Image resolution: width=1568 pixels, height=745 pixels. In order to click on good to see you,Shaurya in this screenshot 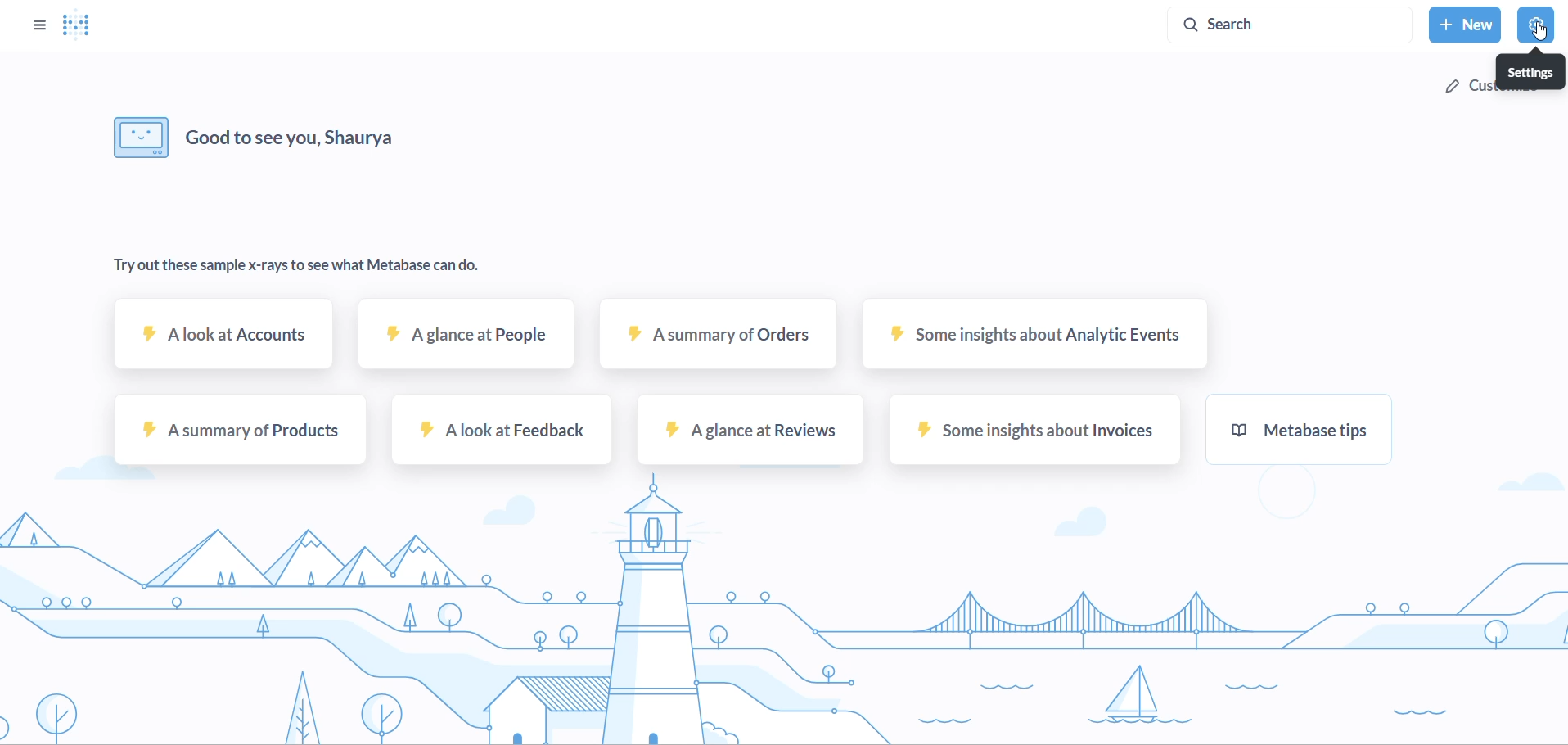, I will do `click(259, 136)`.